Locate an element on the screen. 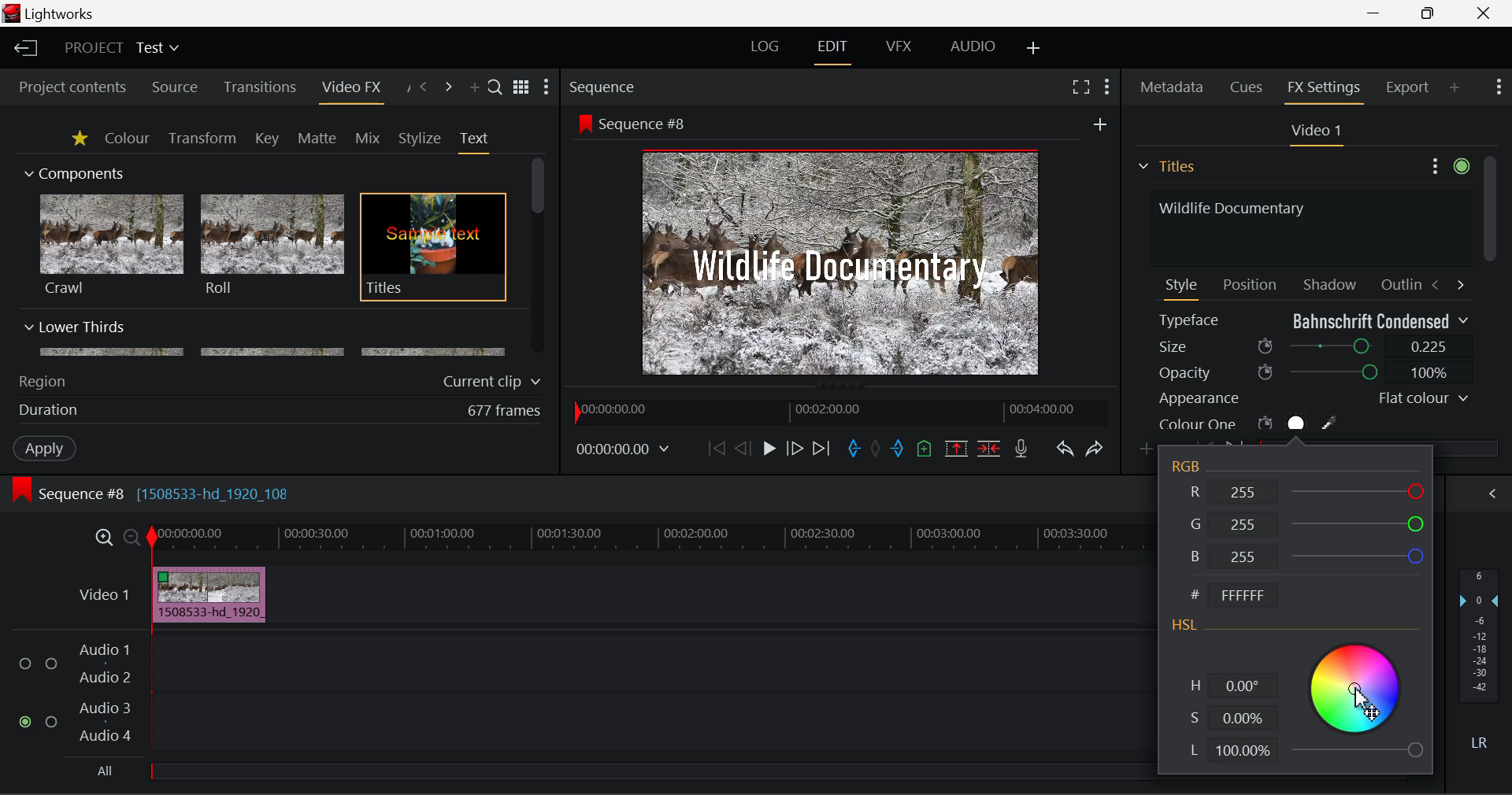  Project Title is located at coordinates (123, 46).